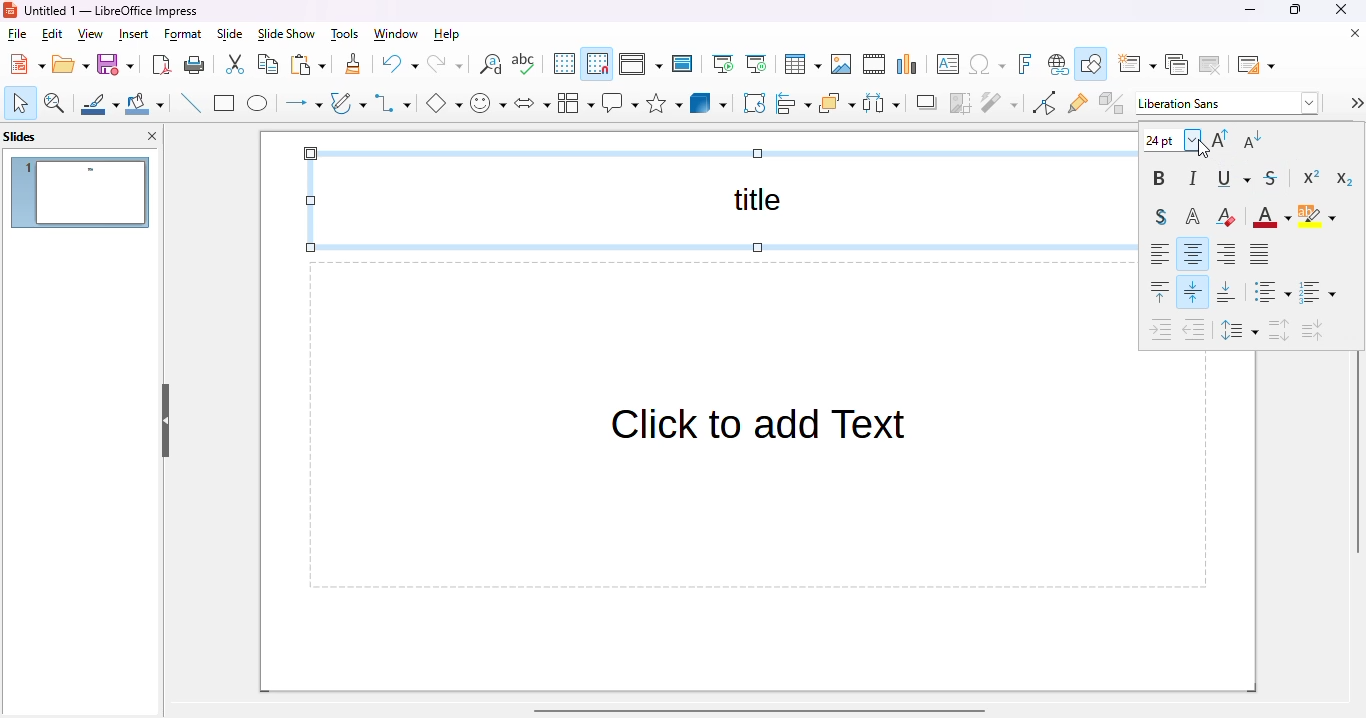 The image size is (1366, 718). I want to click on open, so click(71, 64).